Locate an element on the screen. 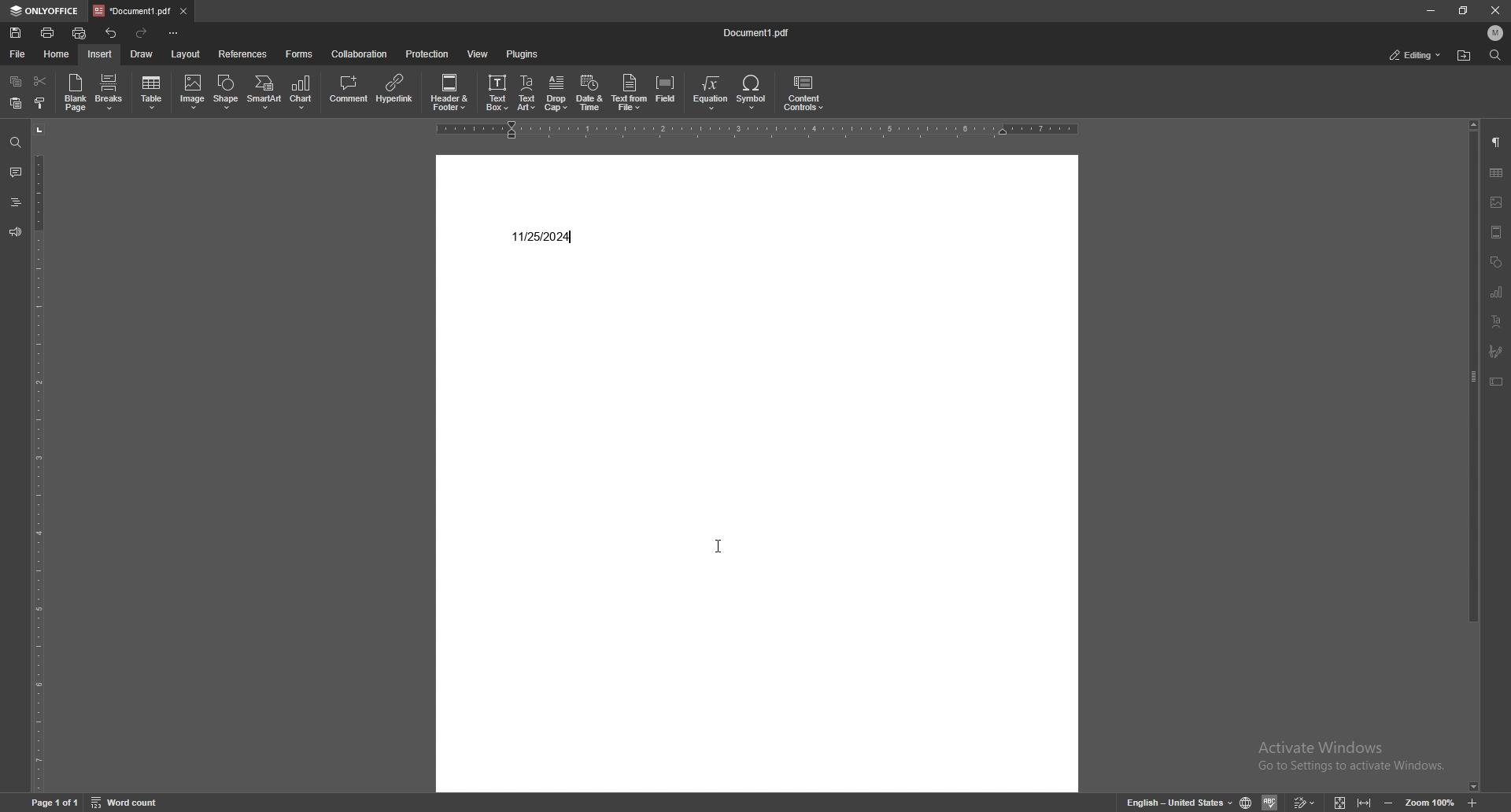 The width and height of the screenshot is (1511, 812). vertical scale is located at coordinates (41, 458).